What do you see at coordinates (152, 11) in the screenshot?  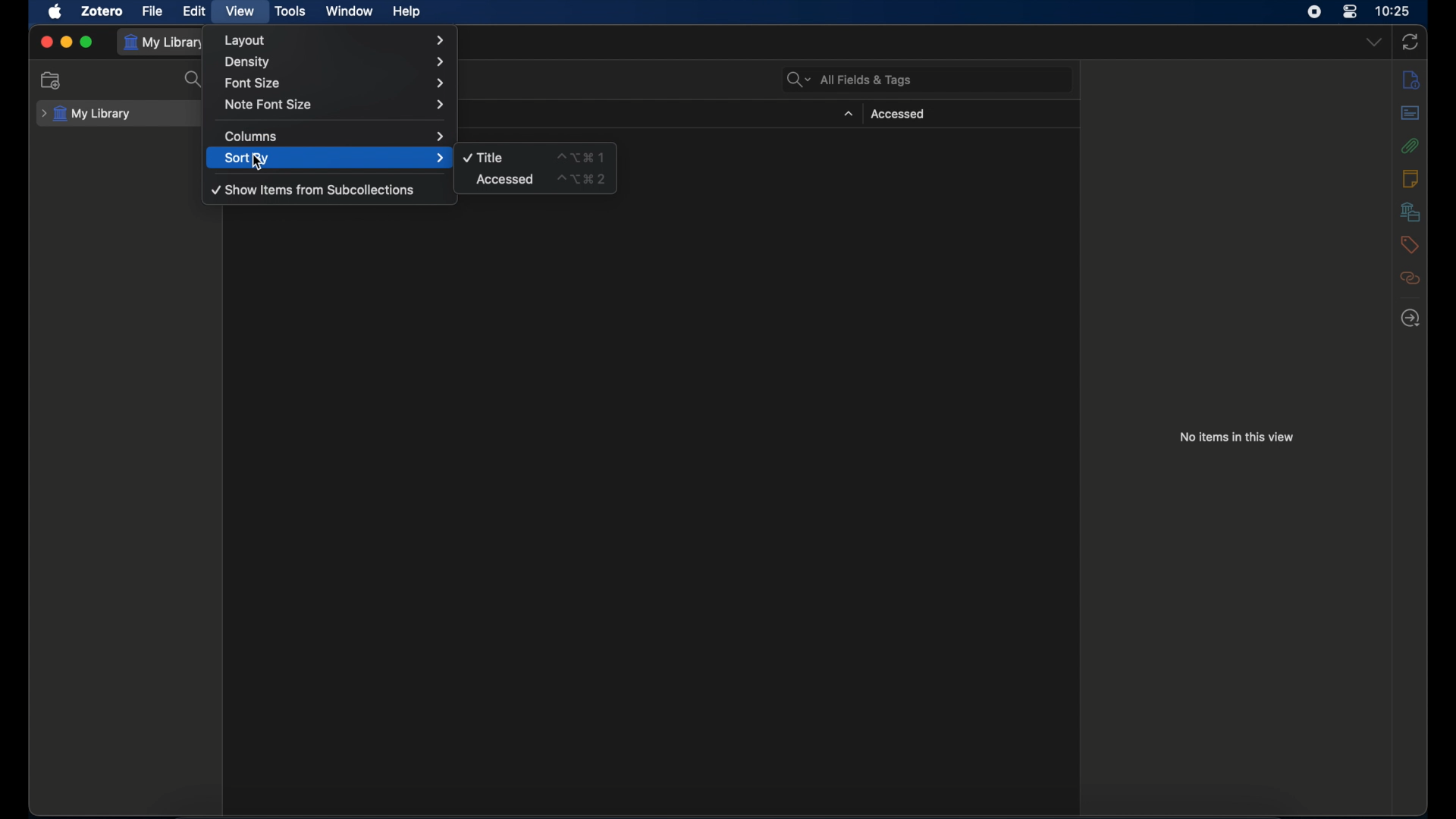 I see `file` at bounding box center [152, 11].